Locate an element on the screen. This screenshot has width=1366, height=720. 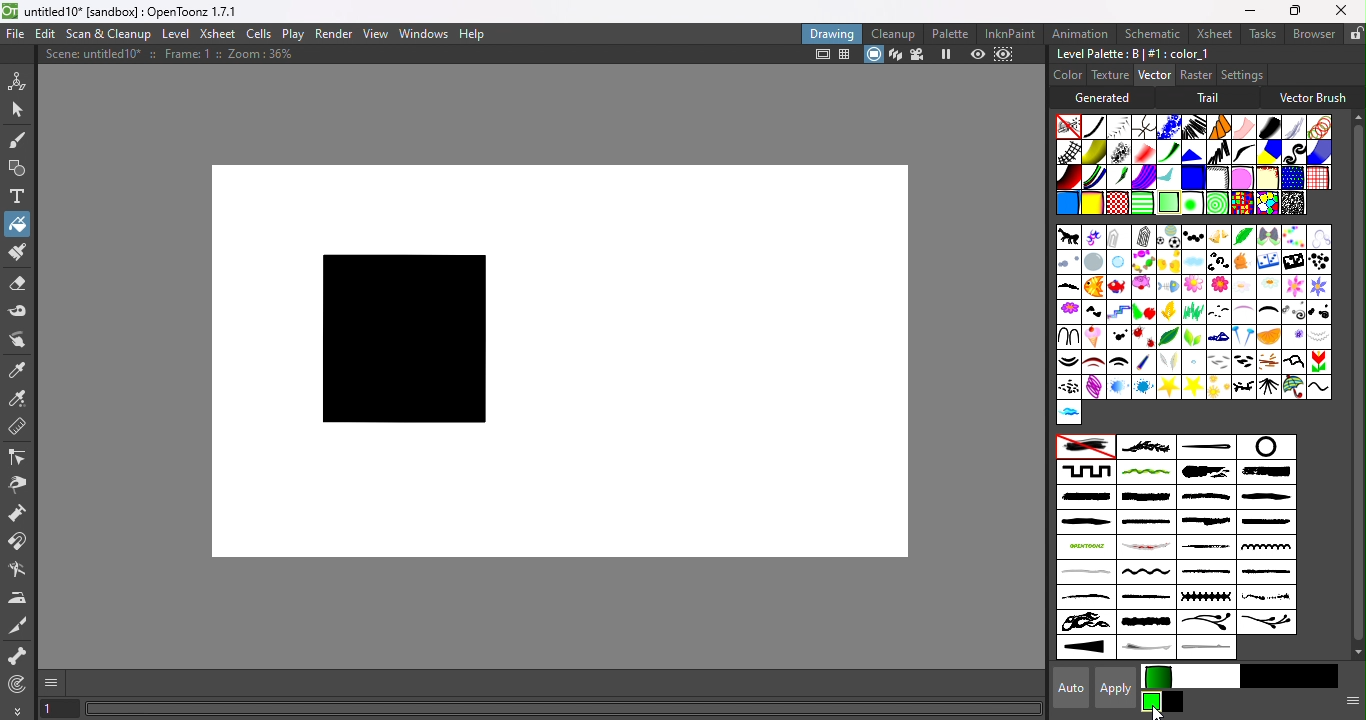
Wave is located at coordinates (1319, 387).